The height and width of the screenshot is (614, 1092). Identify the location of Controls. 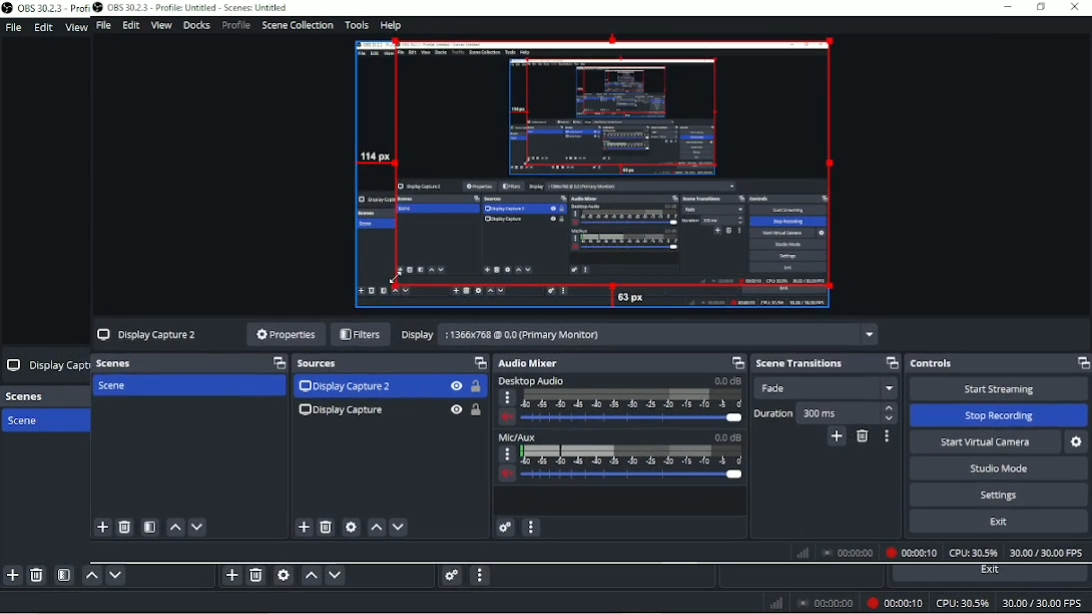
(938, 364).